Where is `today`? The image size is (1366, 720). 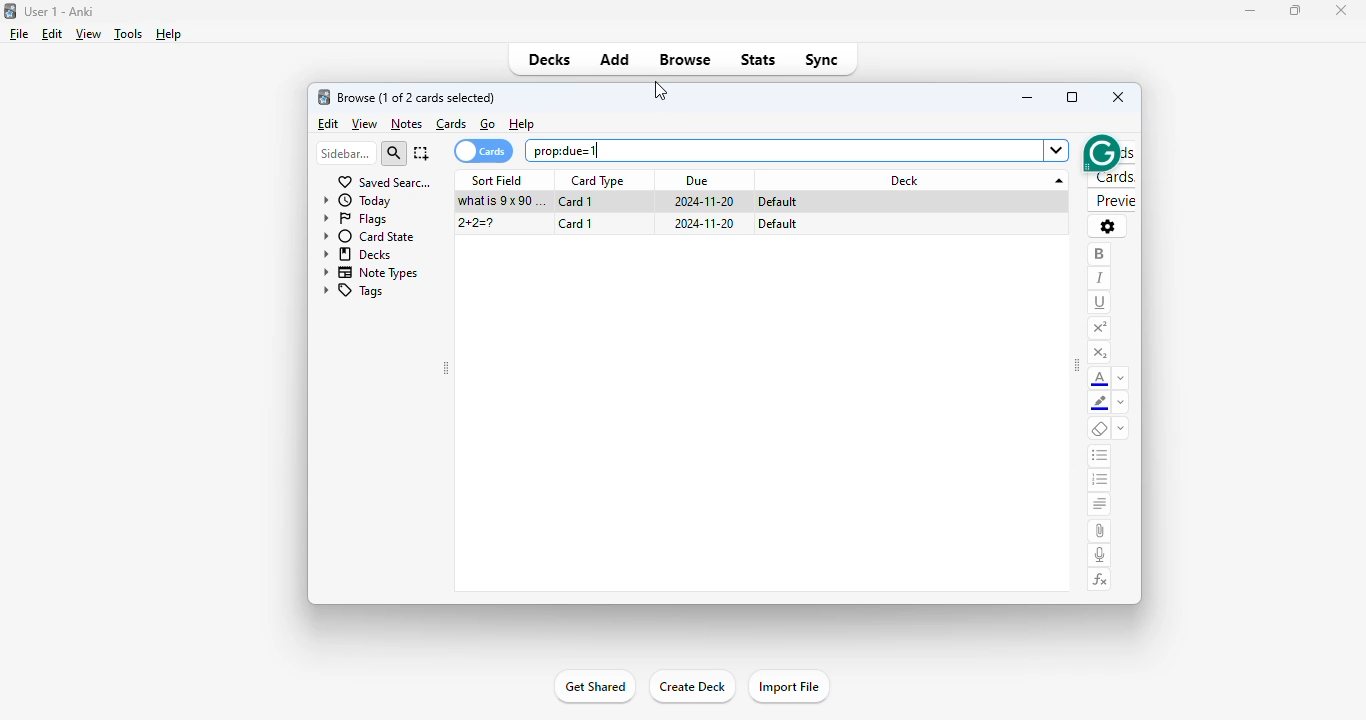
today is located at coordinates (359, 201).